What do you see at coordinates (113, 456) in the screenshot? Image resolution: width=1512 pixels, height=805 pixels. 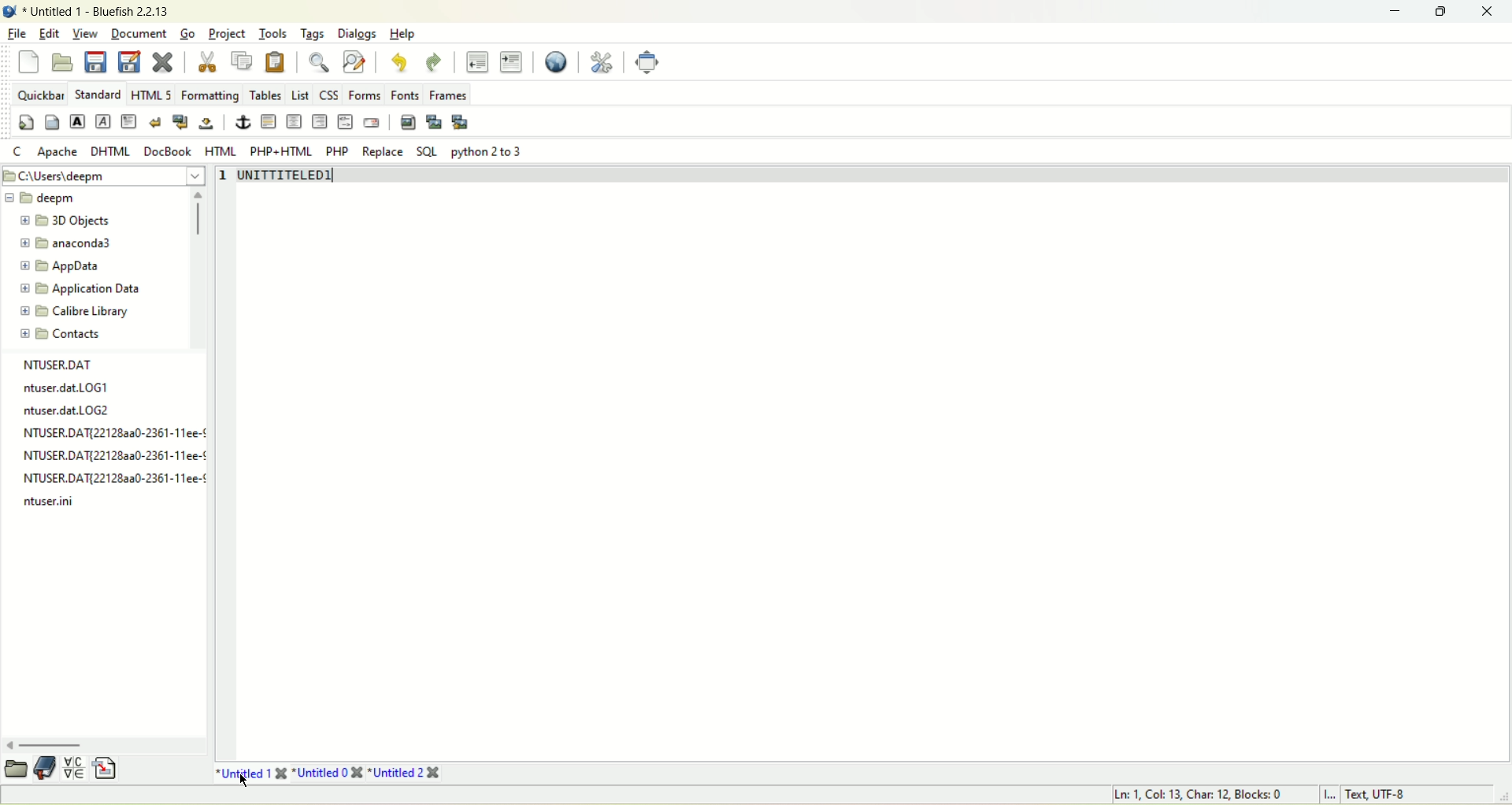 I see `NTUSER.DAT{22128aa0-2361-11ee-¢` at bounding box center [113, 456].